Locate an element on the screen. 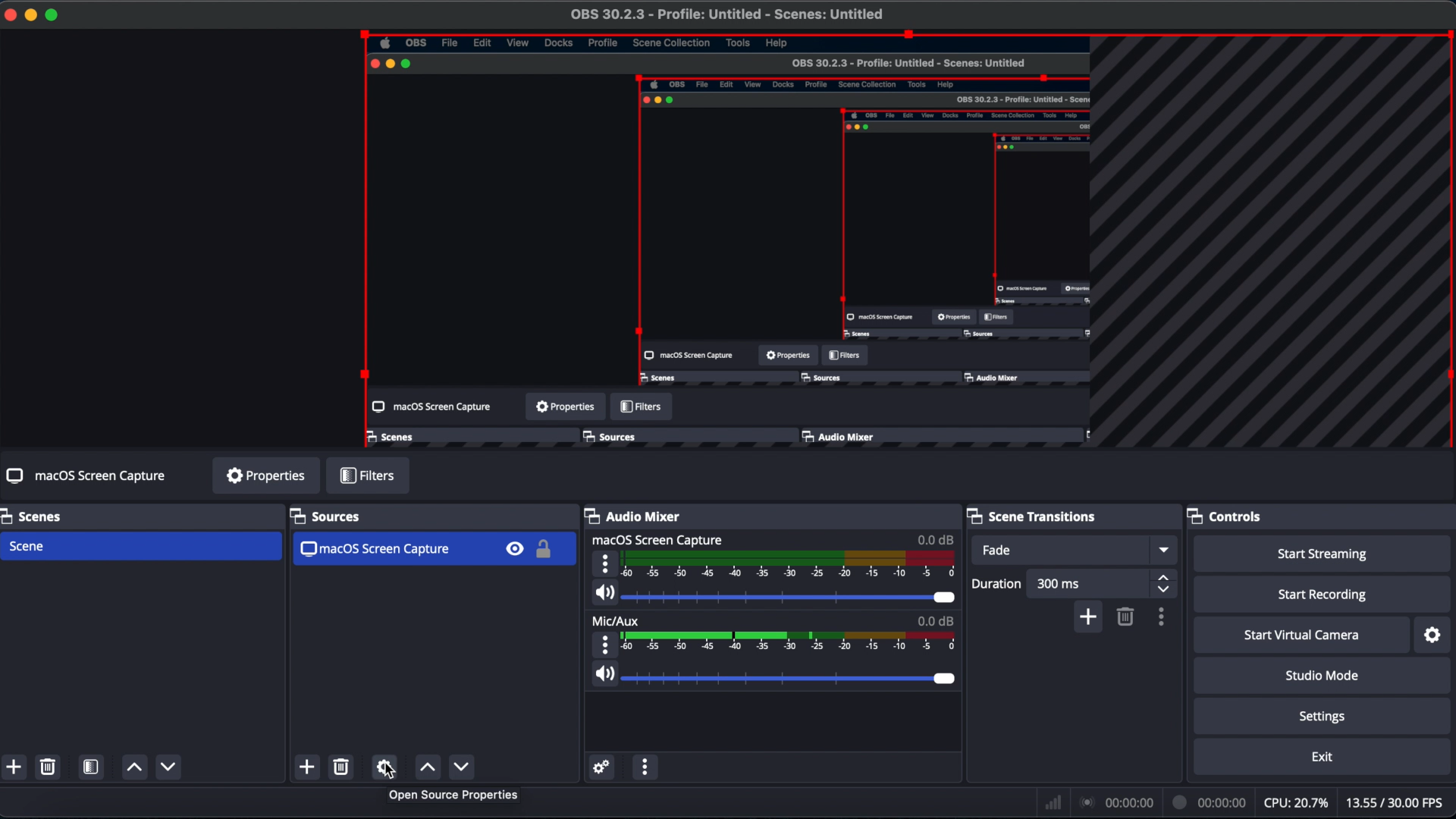 This screenshot has height=819, width=1456. source properties is located at coordinates (384, 767).